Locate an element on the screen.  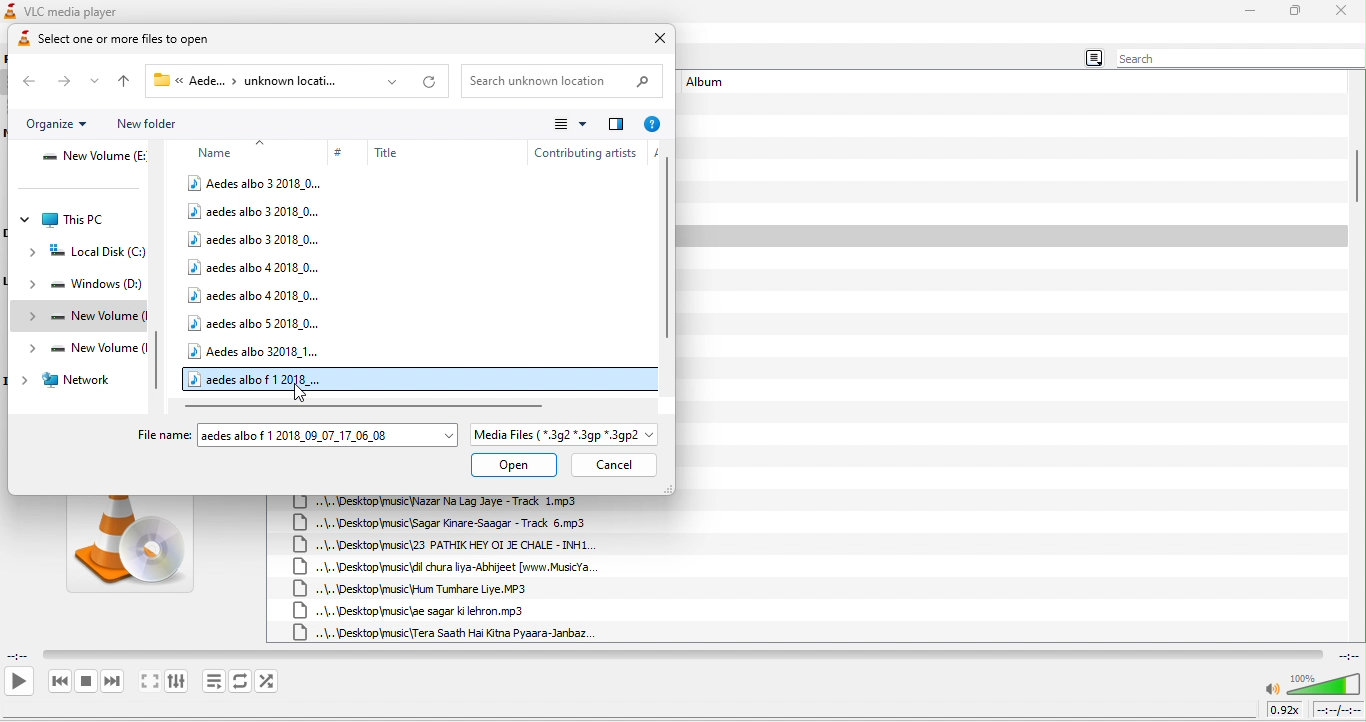
Search unknown location is located at coordinates (562, 81).